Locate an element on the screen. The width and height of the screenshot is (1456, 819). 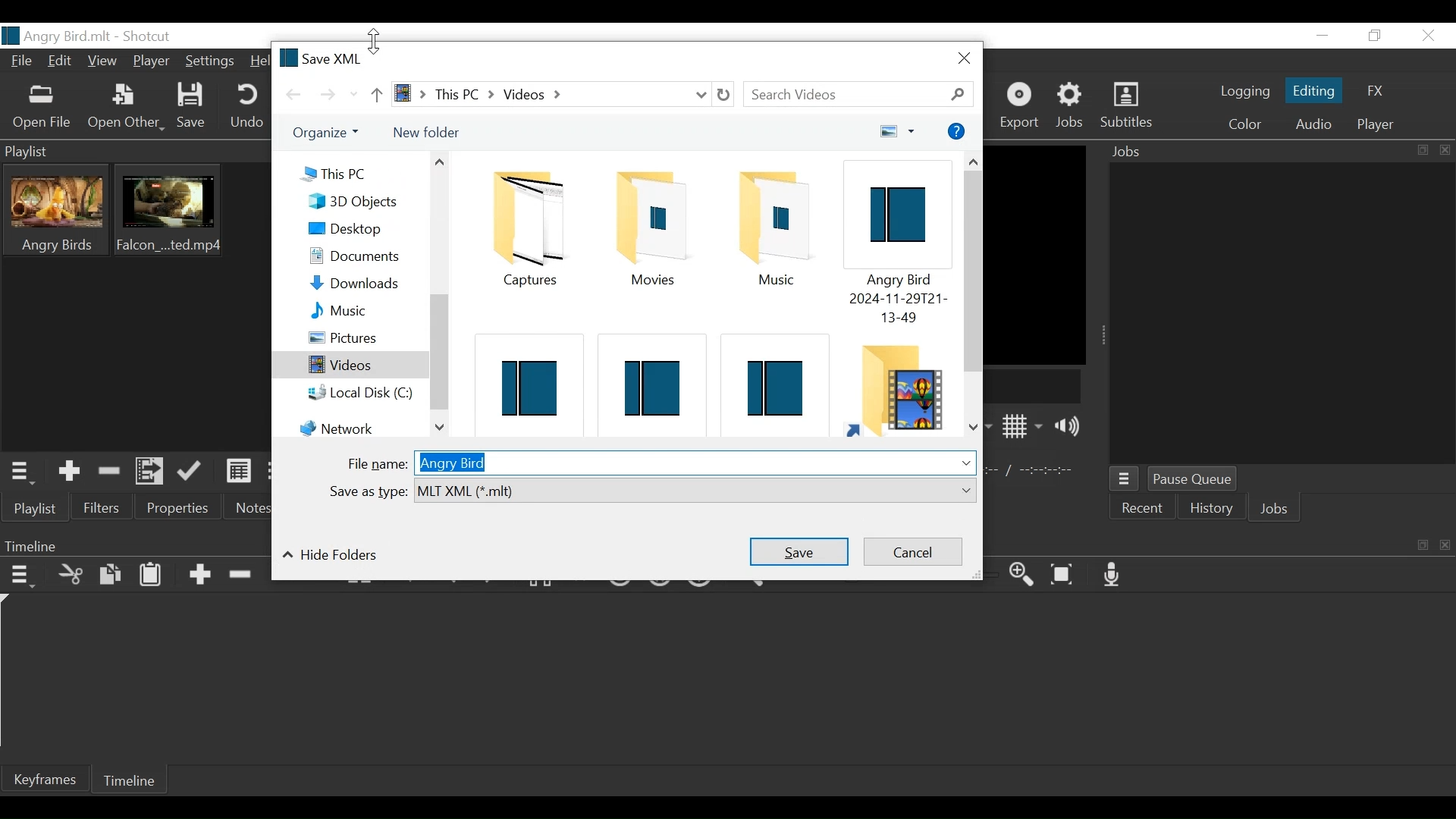
Downloads is located at coordinates (362, 281).